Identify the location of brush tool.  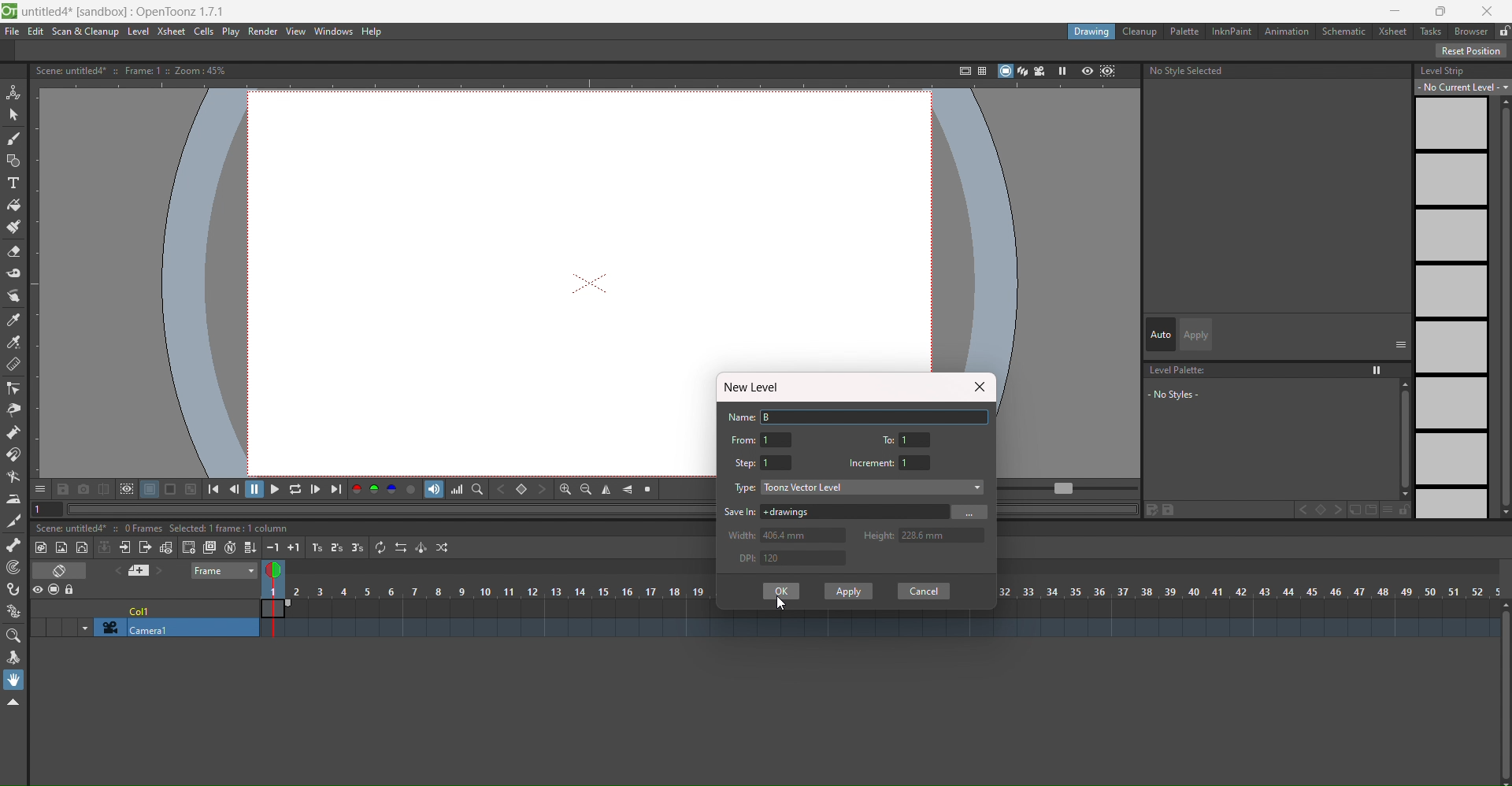
(13, 139).